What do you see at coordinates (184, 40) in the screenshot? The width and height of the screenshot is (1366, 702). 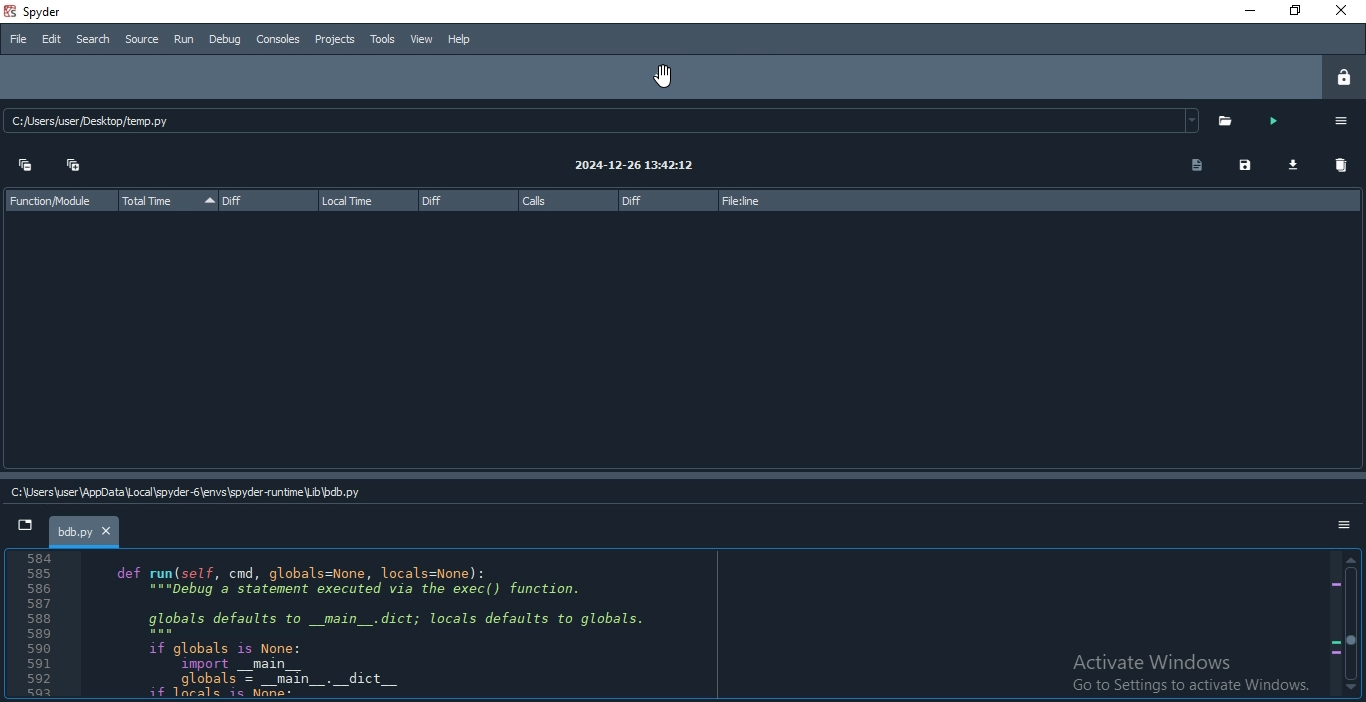 I see `Run` at bounding box center [184, 40].